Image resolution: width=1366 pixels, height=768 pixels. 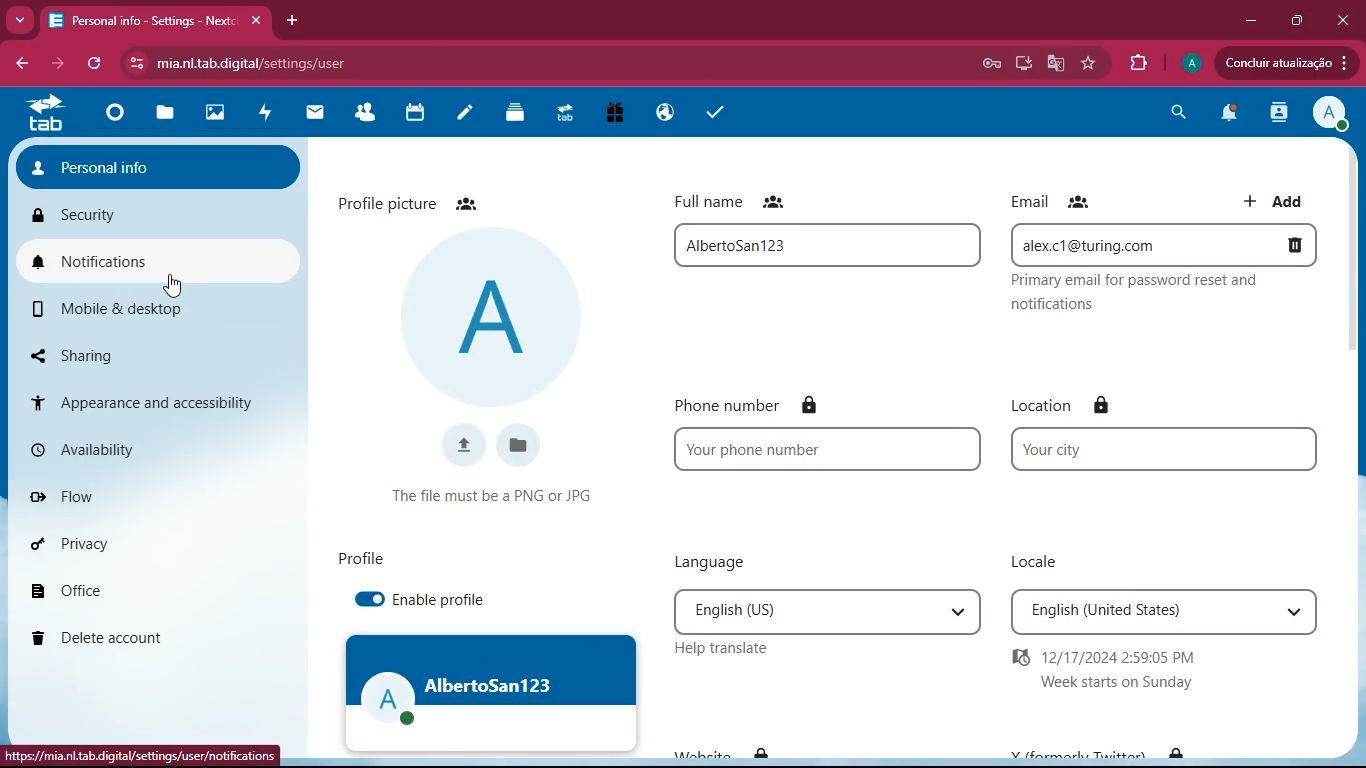 What do you see at coordinates (178, 288) in the screenshot?
I see `Cursor` at bounding box center [178, 288].